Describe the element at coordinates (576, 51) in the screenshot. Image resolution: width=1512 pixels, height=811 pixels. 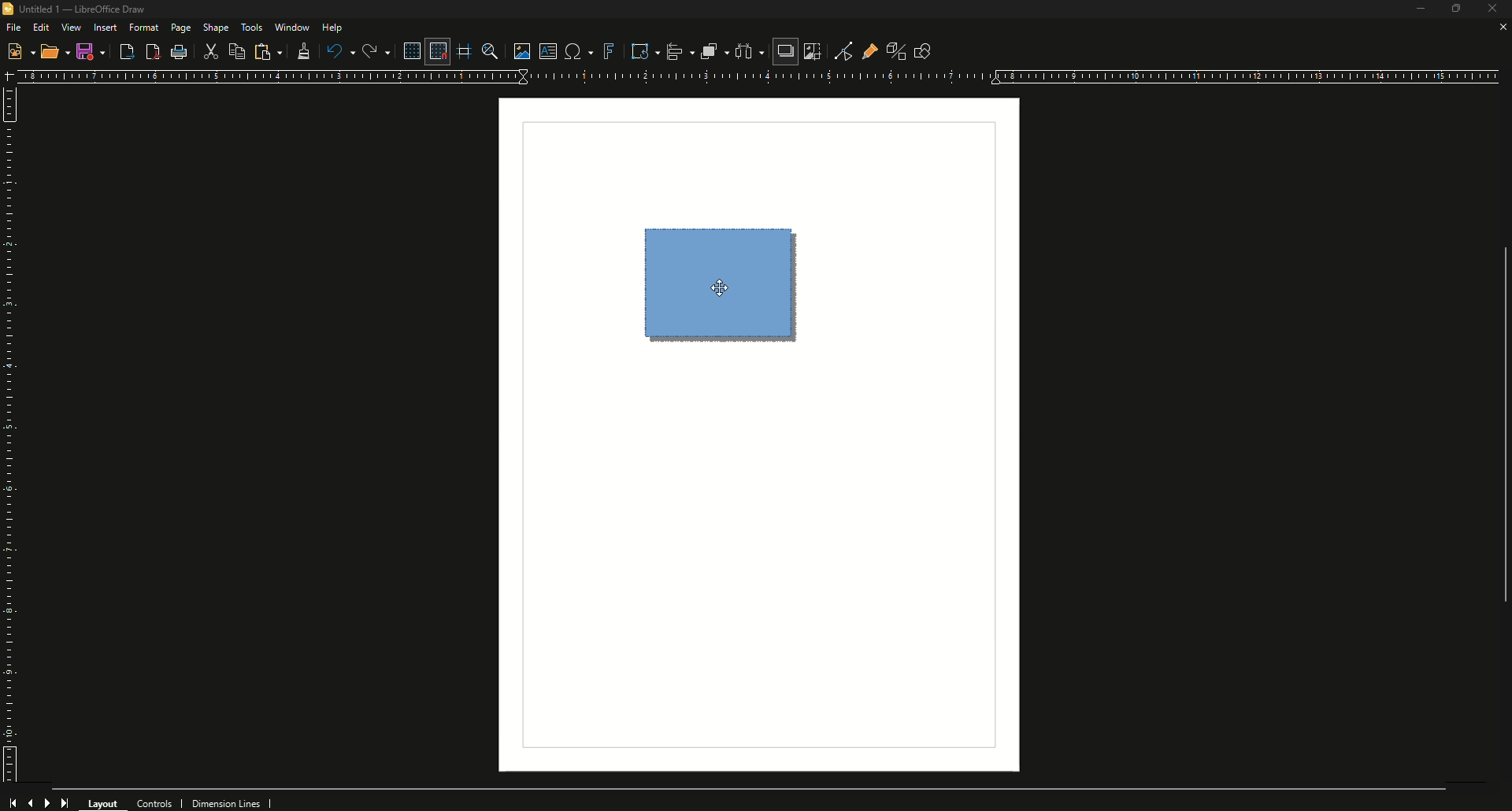
I see `Insert Special Characters` at that location.